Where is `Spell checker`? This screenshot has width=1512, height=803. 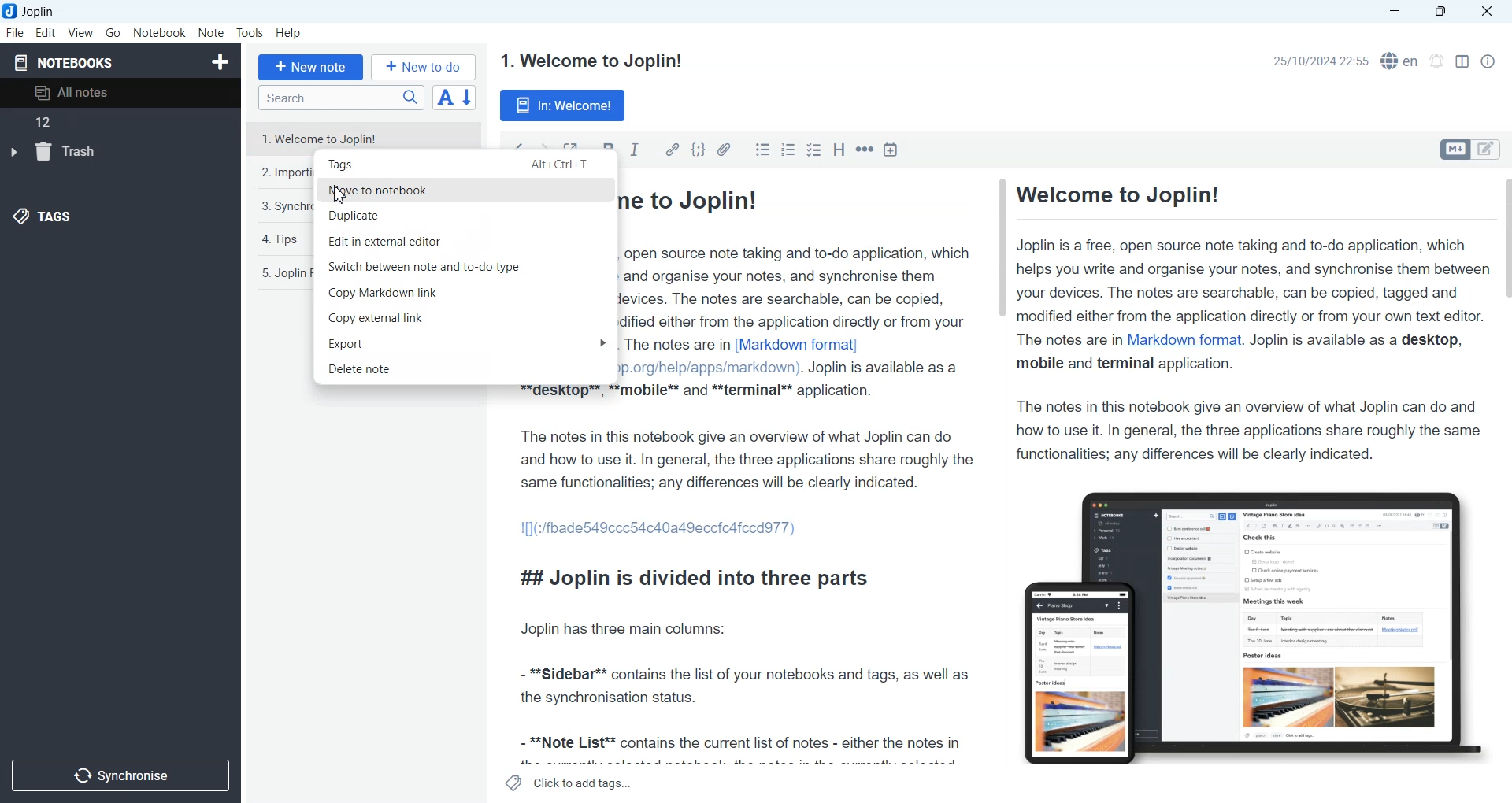 Spell checker is located at coordinates (1401, 61).